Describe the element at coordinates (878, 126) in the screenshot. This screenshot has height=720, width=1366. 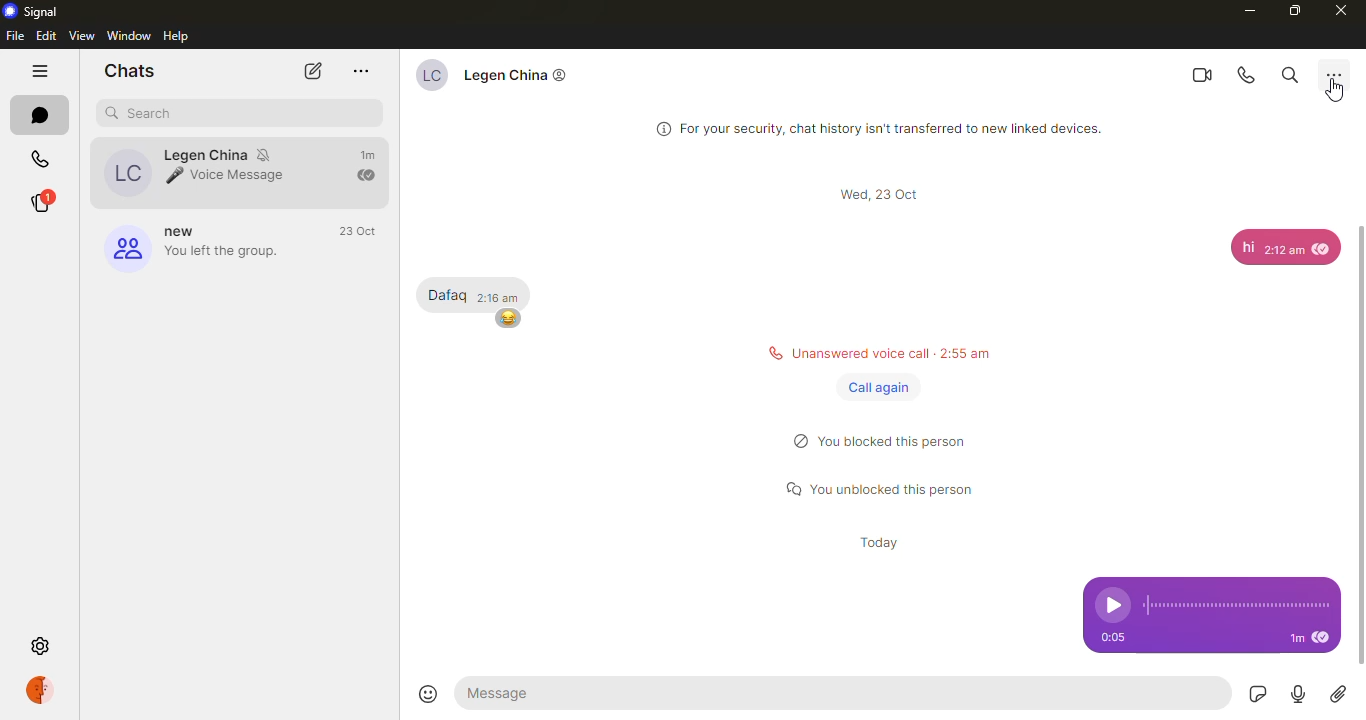
I see `info` at that location.